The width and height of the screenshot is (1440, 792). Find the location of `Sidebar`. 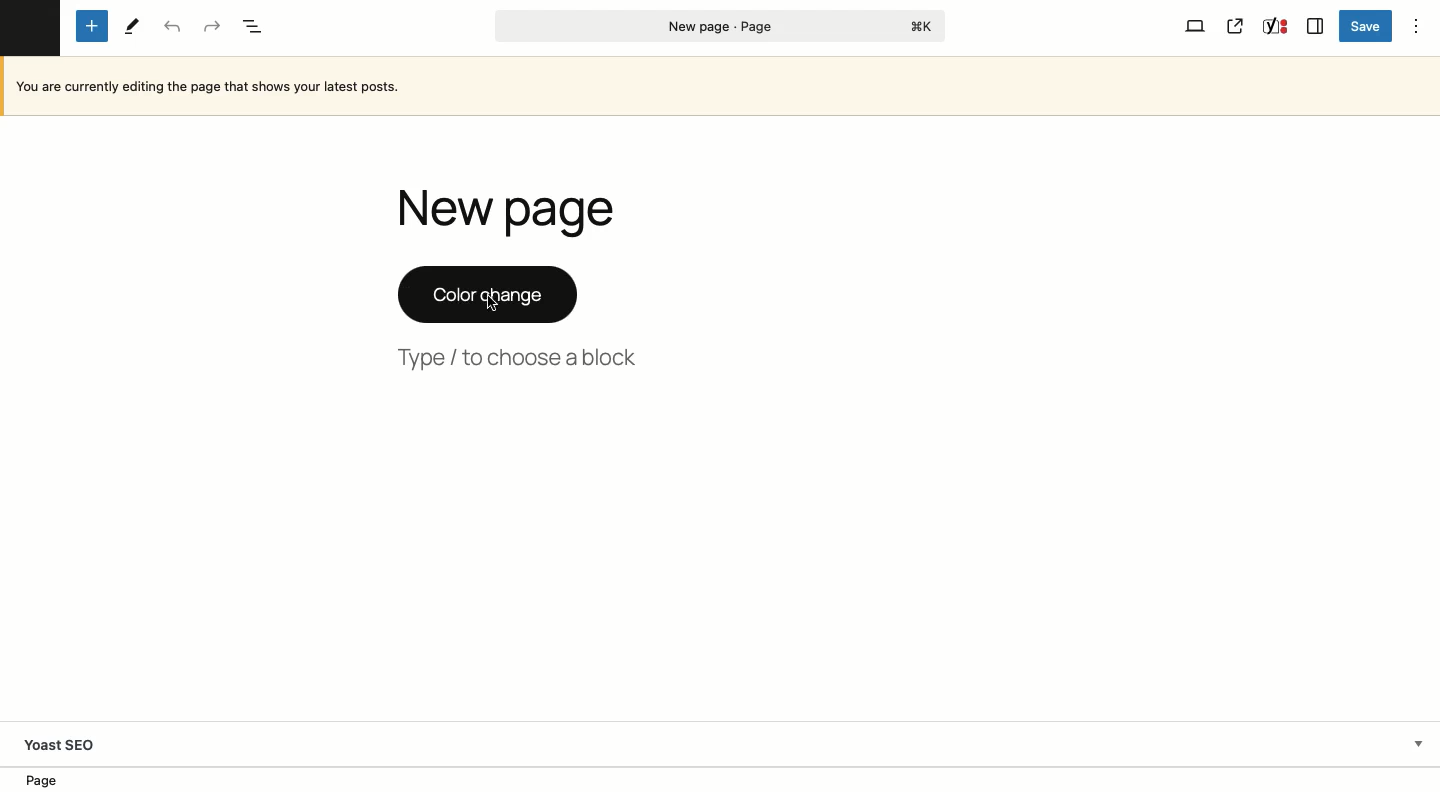

Sidebar is located at coordinates (1314, 26).